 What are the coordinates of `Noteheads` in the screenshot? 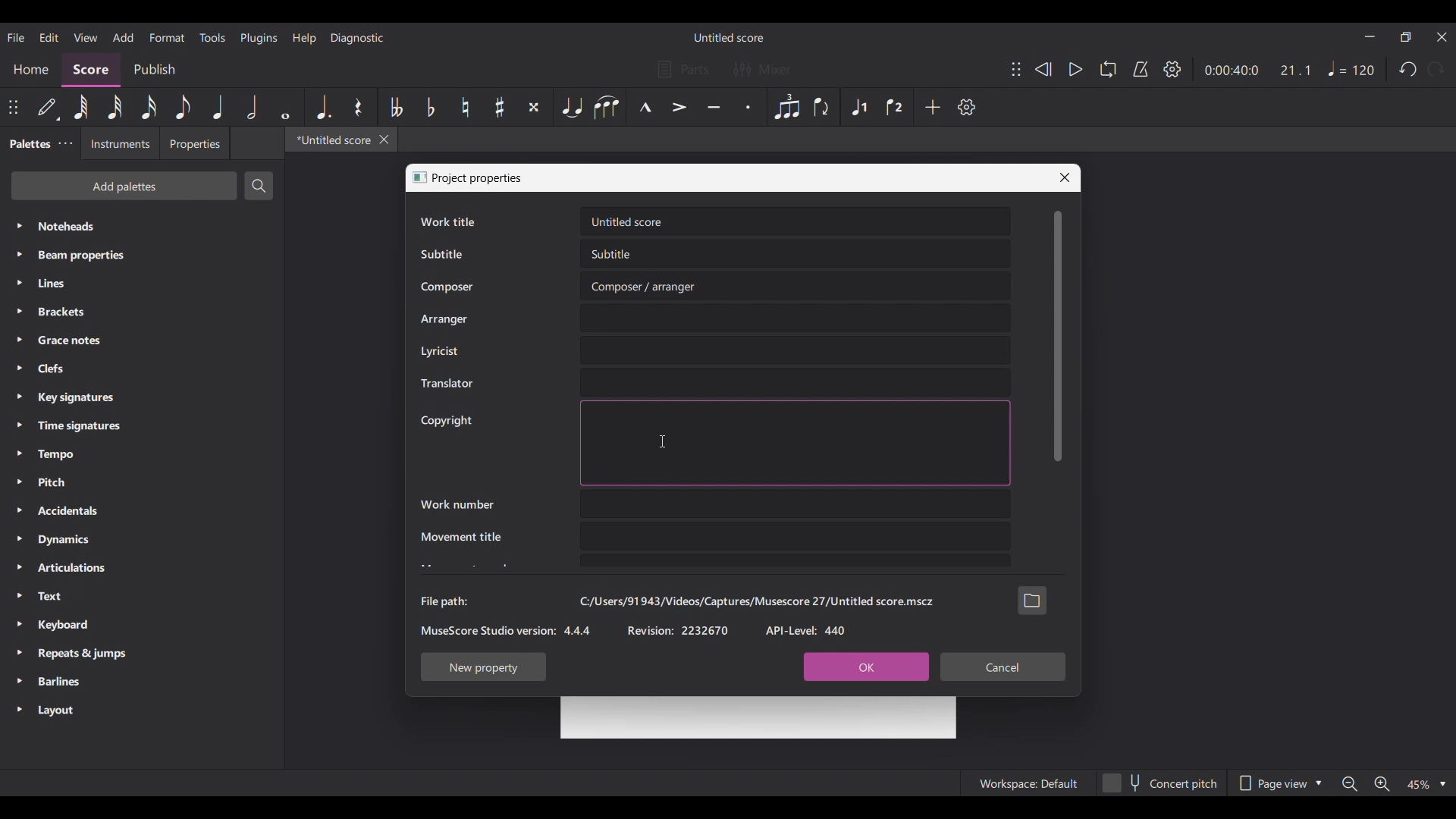 It's located at (143, 226).